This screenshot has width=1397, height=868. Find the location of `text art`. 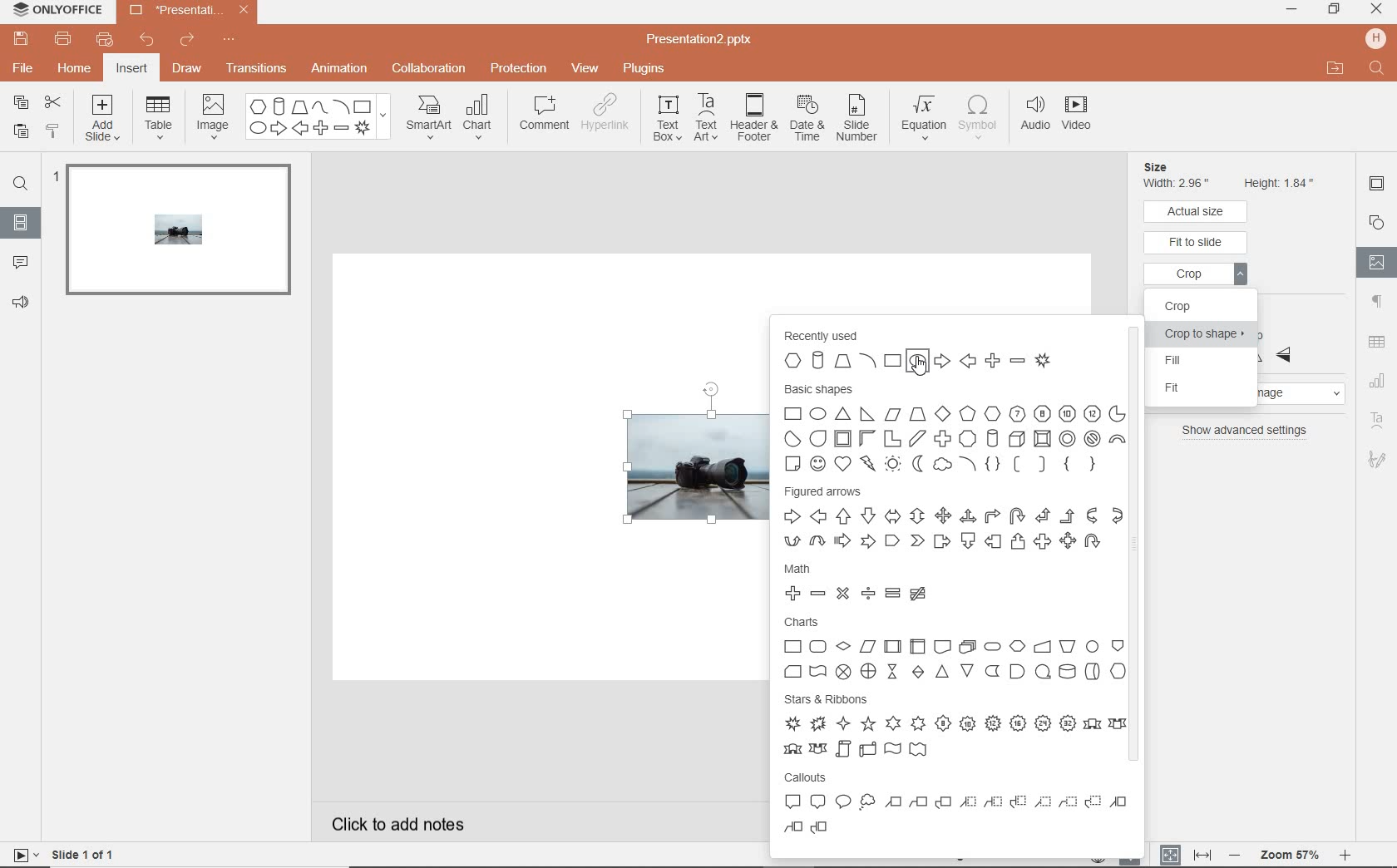

text art is located at coordinates (1377, 421).